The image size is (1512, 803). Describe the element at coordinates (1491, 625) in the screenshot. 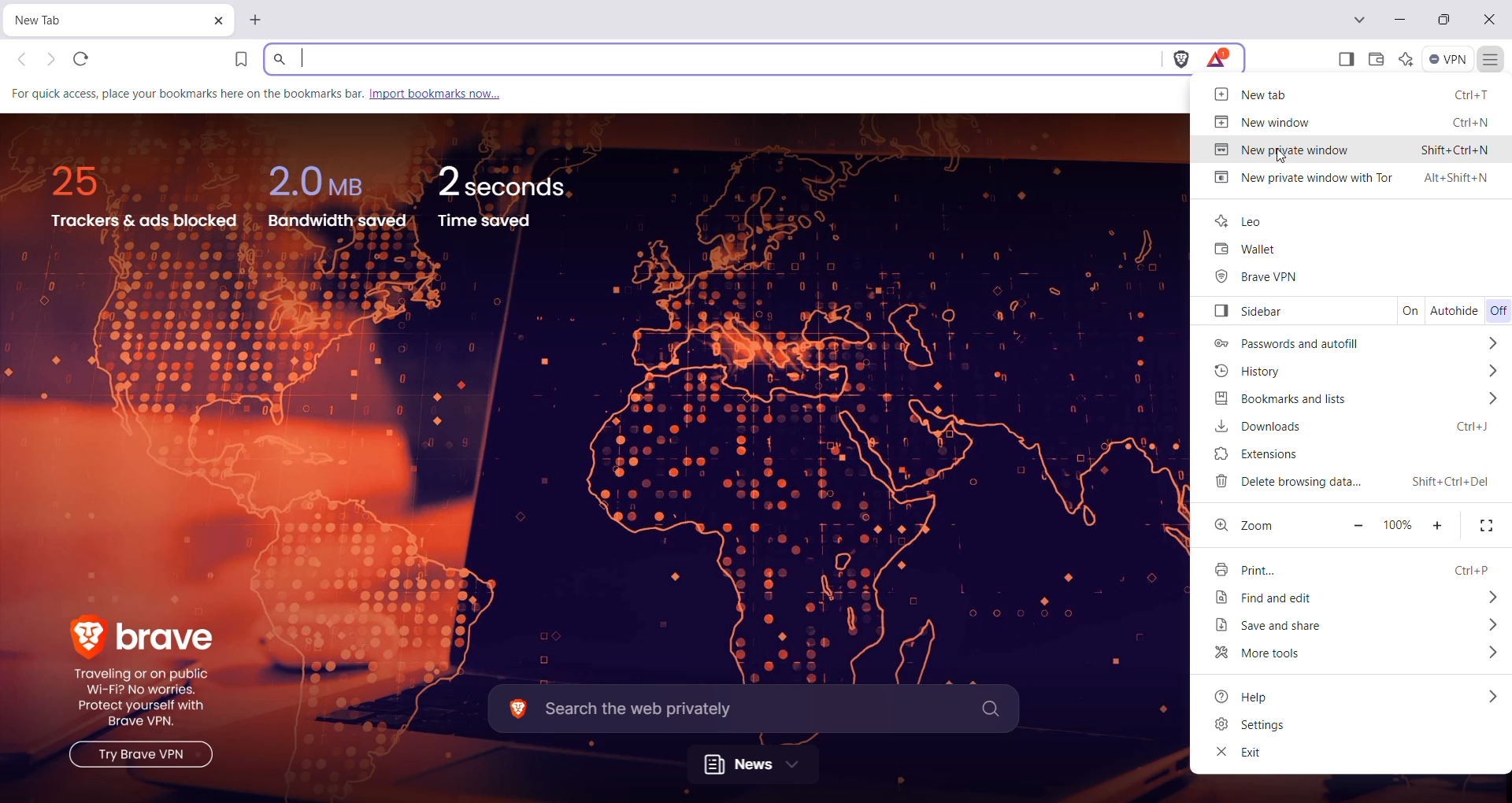

I see `More options` at that location.